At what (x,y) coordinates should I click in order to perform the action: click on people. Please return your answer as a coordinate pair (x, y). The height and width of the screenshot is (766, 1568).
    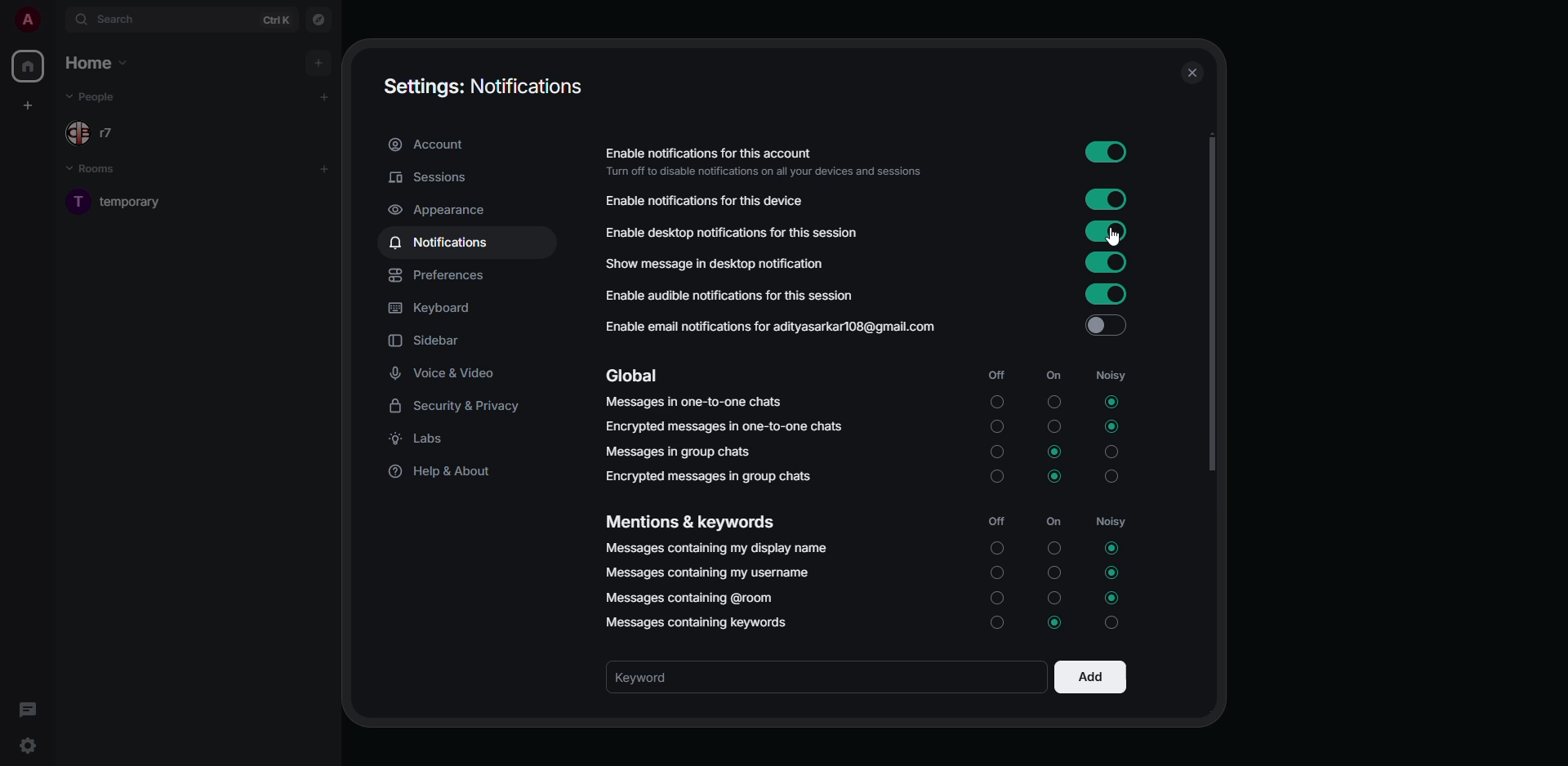
    Looking at the image, I should click on (108, 132).